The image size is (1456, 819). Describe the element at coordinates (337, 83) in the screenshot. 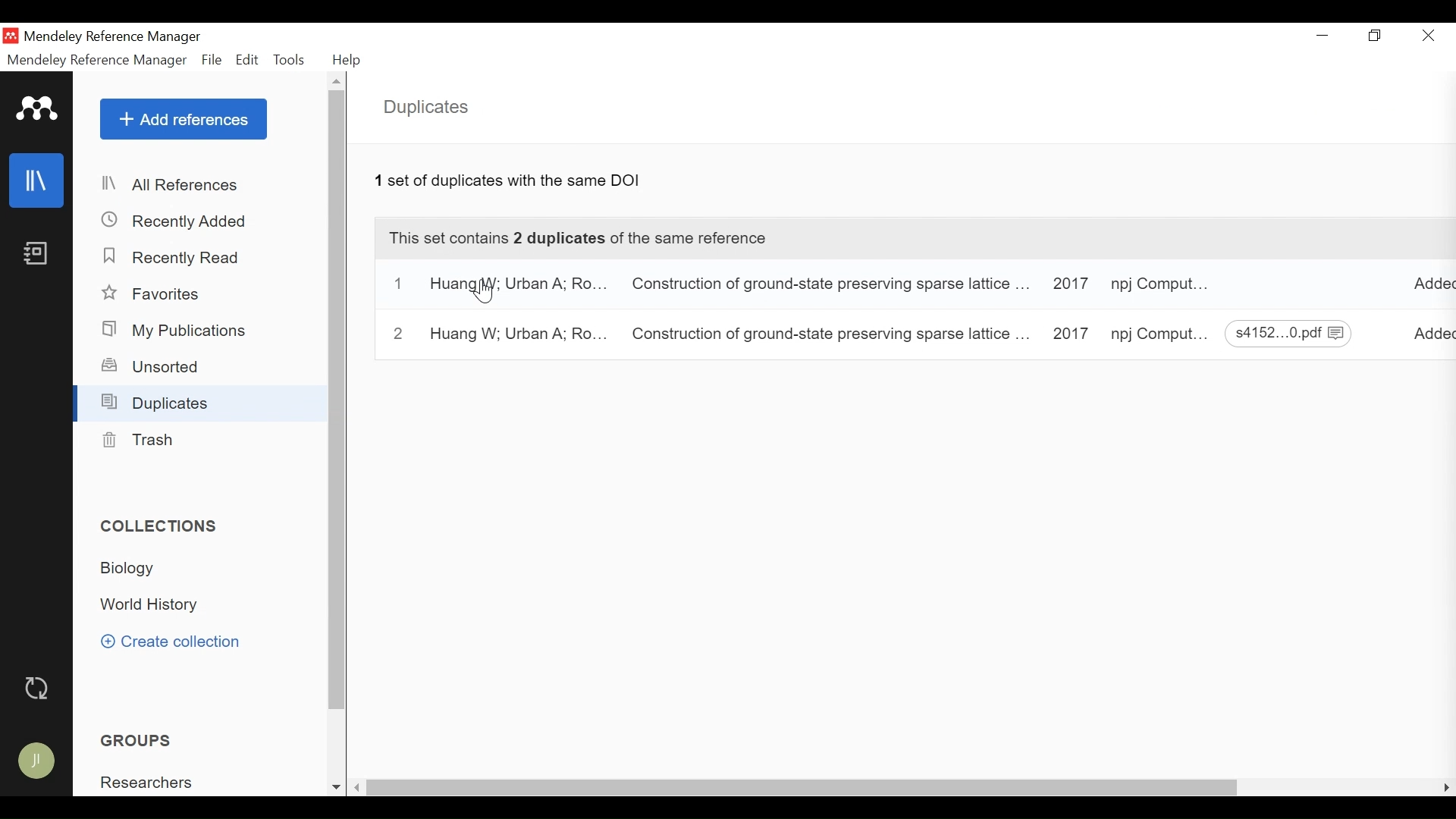

I see `Scroll up` at that location.